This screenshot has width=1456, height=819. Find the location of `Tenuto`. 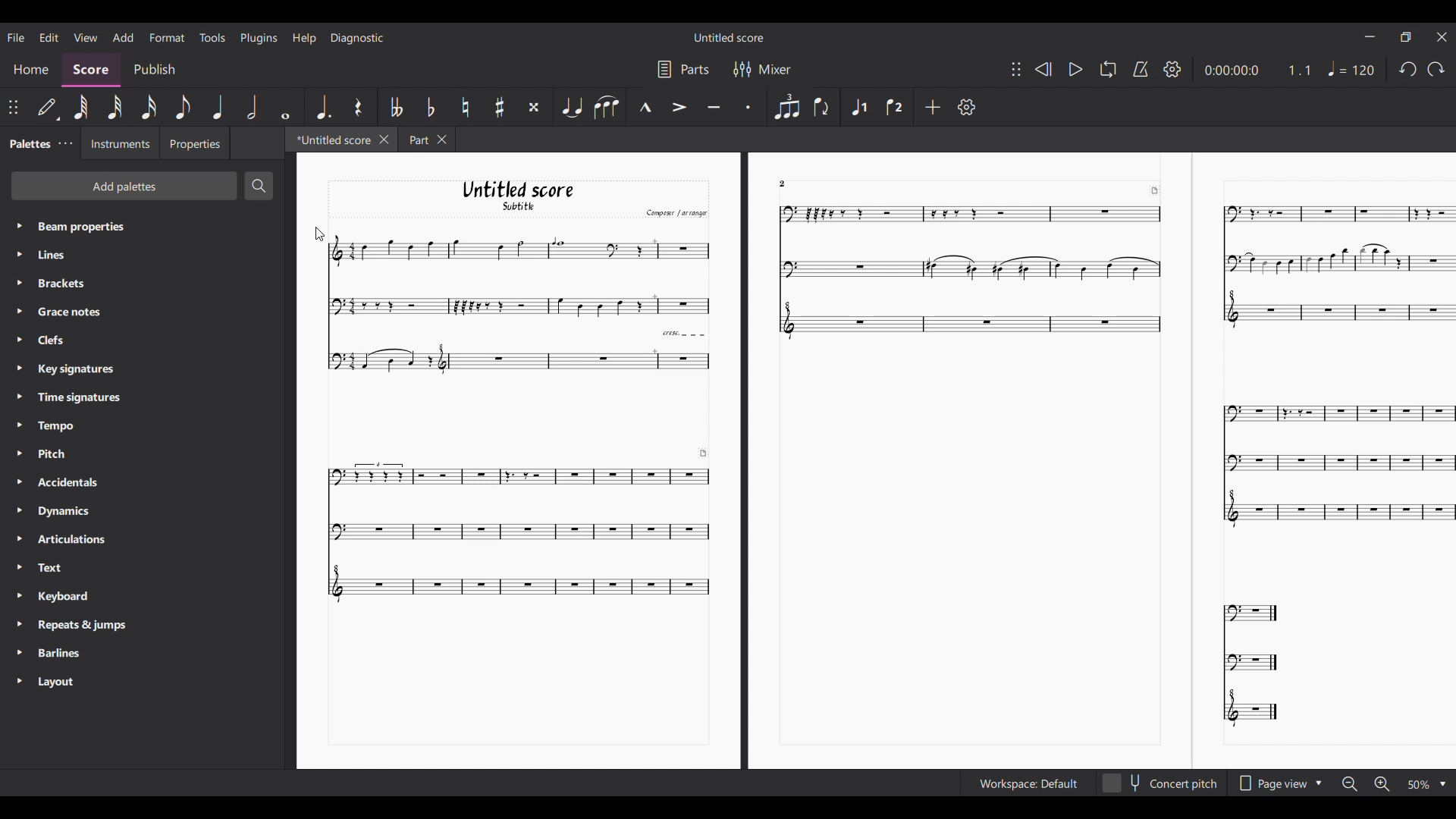

Tenuto is located at coordinates (713, 105).